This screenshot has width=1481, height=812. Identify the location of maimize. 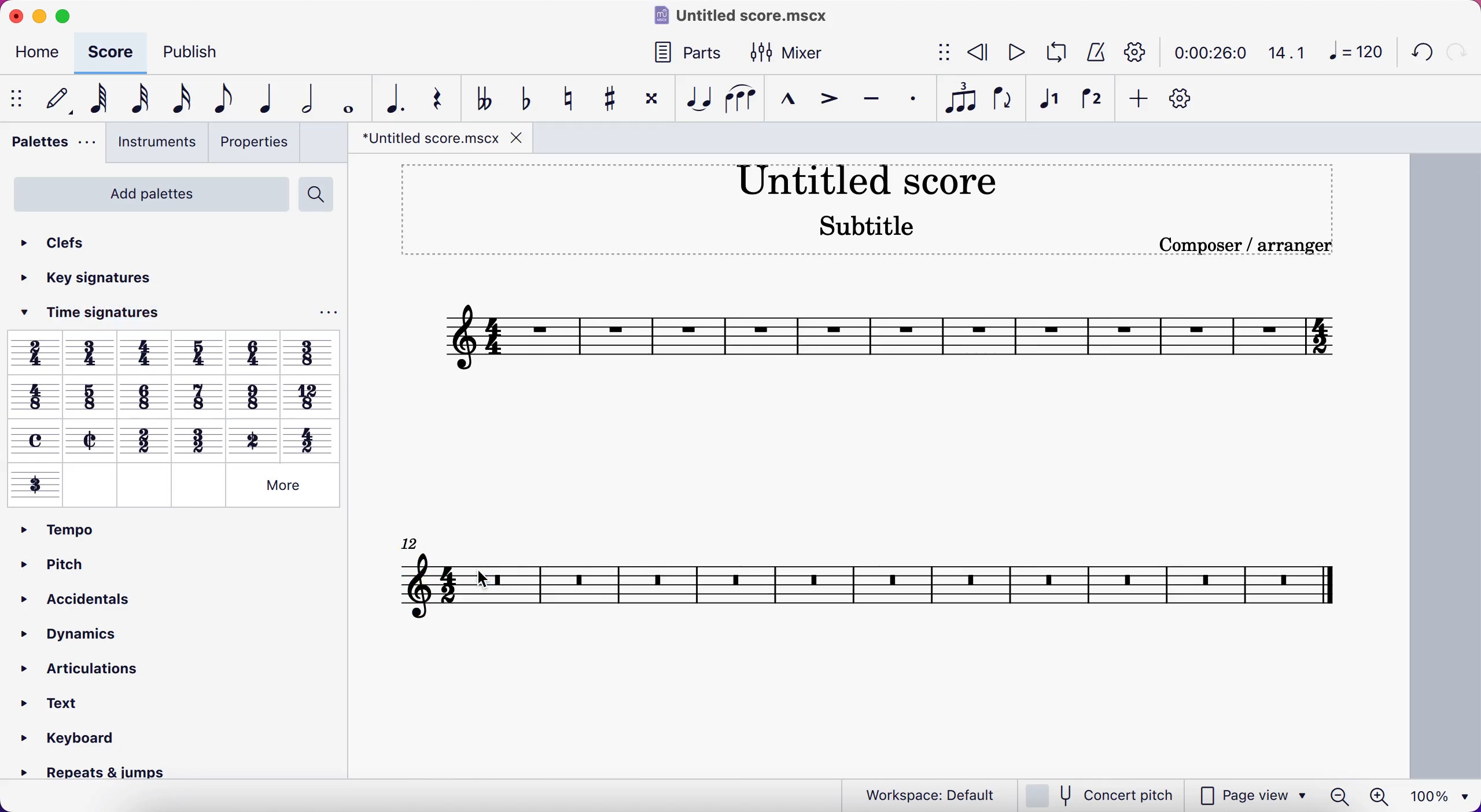
(71, 17).